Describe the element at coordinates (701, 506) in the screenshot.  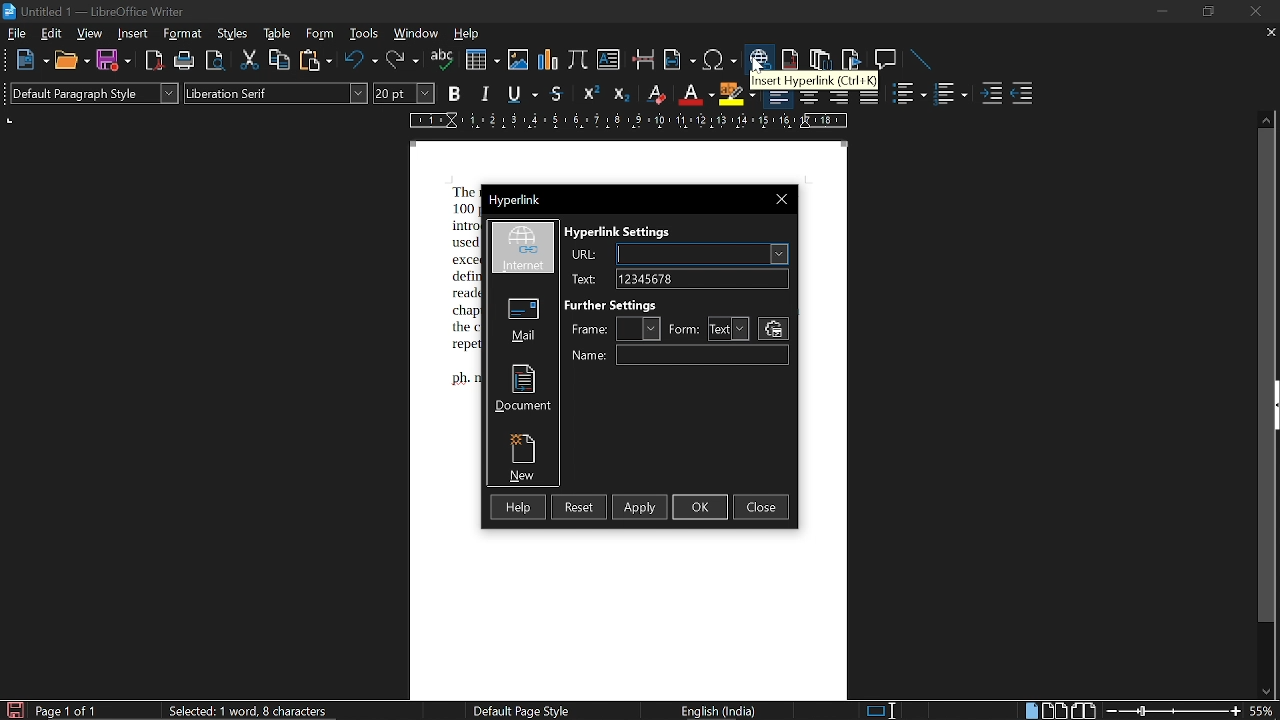
I see `ok` at that location.